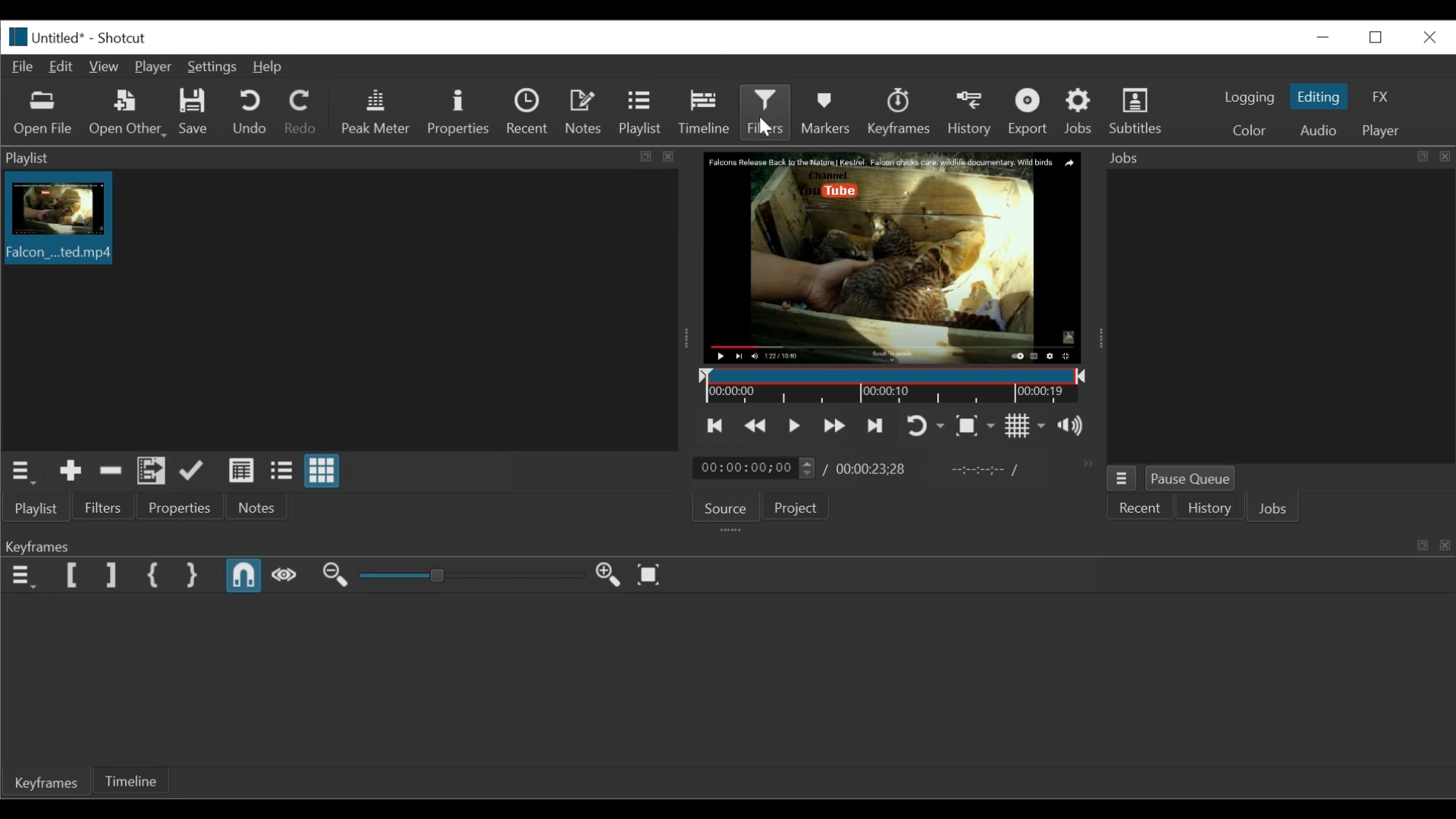 This screenshot has height=819, width=1456. I want to click on Audio, so click(1321, 130).